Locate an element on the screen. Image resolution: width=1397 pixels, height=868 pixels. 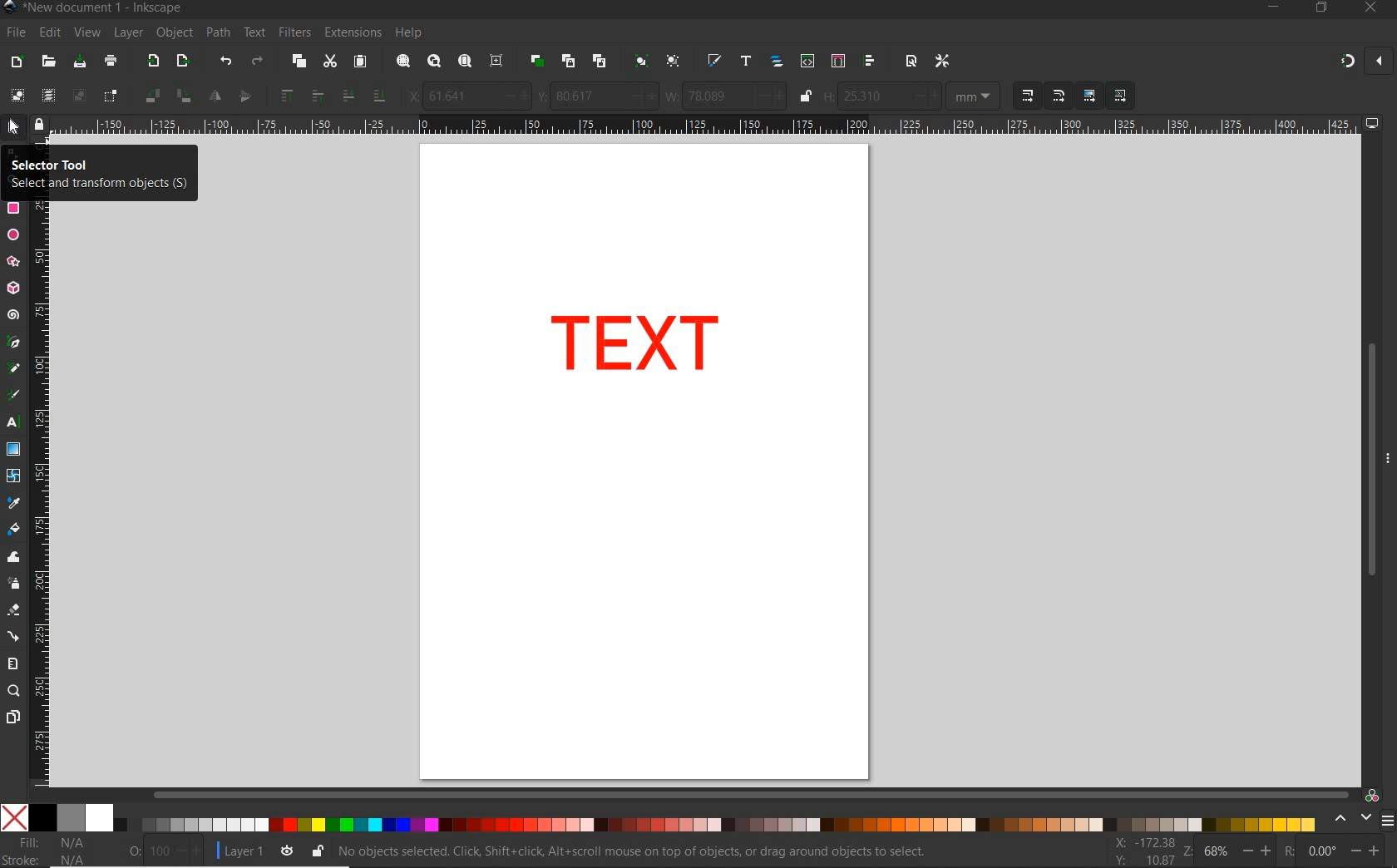
filters is located at coordinates (294, 32).